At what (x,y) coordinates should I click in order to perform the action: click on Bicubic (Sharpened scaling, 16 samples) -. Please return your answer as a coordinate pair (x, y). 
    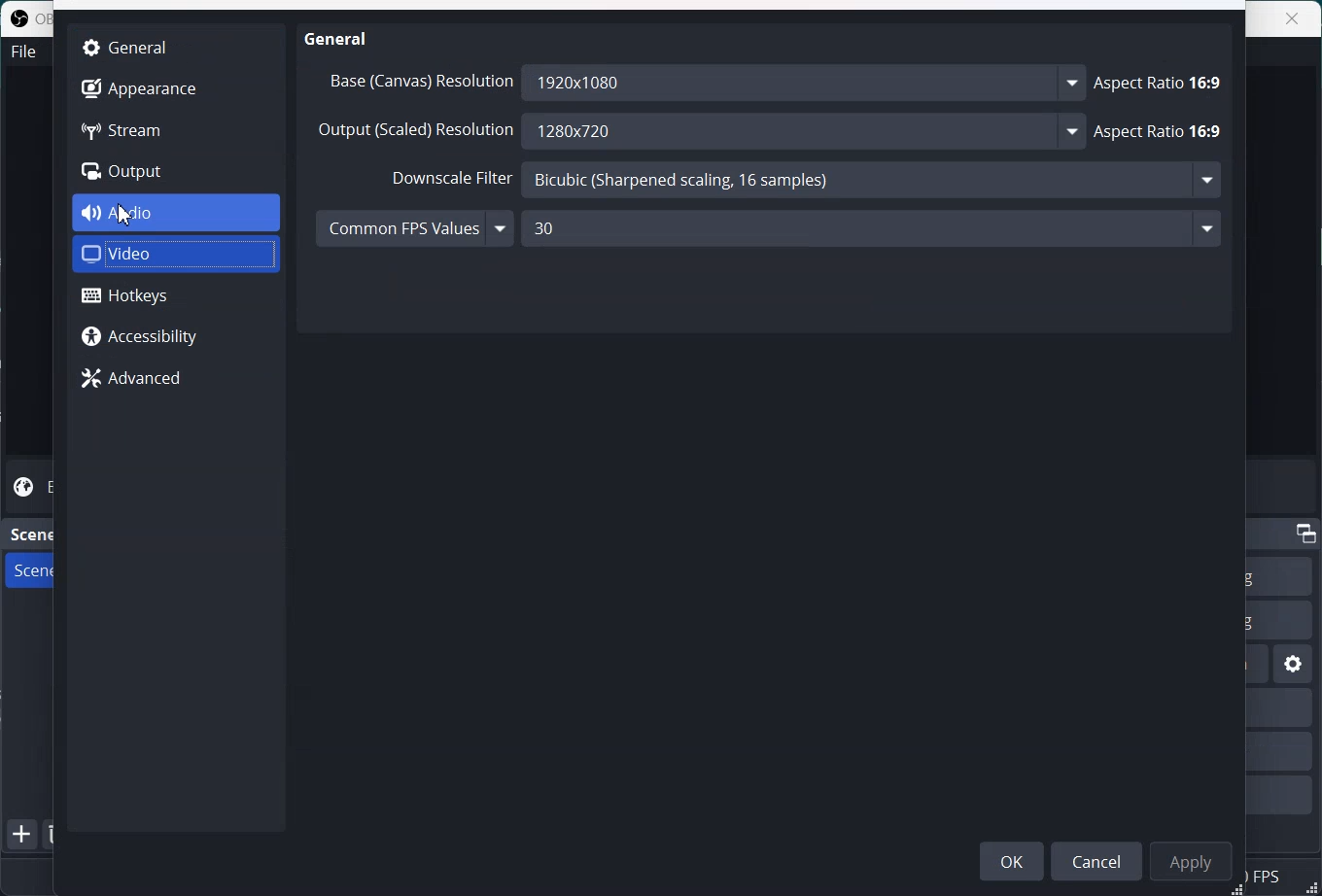
    Looking at the image, I should click on (875, 182).